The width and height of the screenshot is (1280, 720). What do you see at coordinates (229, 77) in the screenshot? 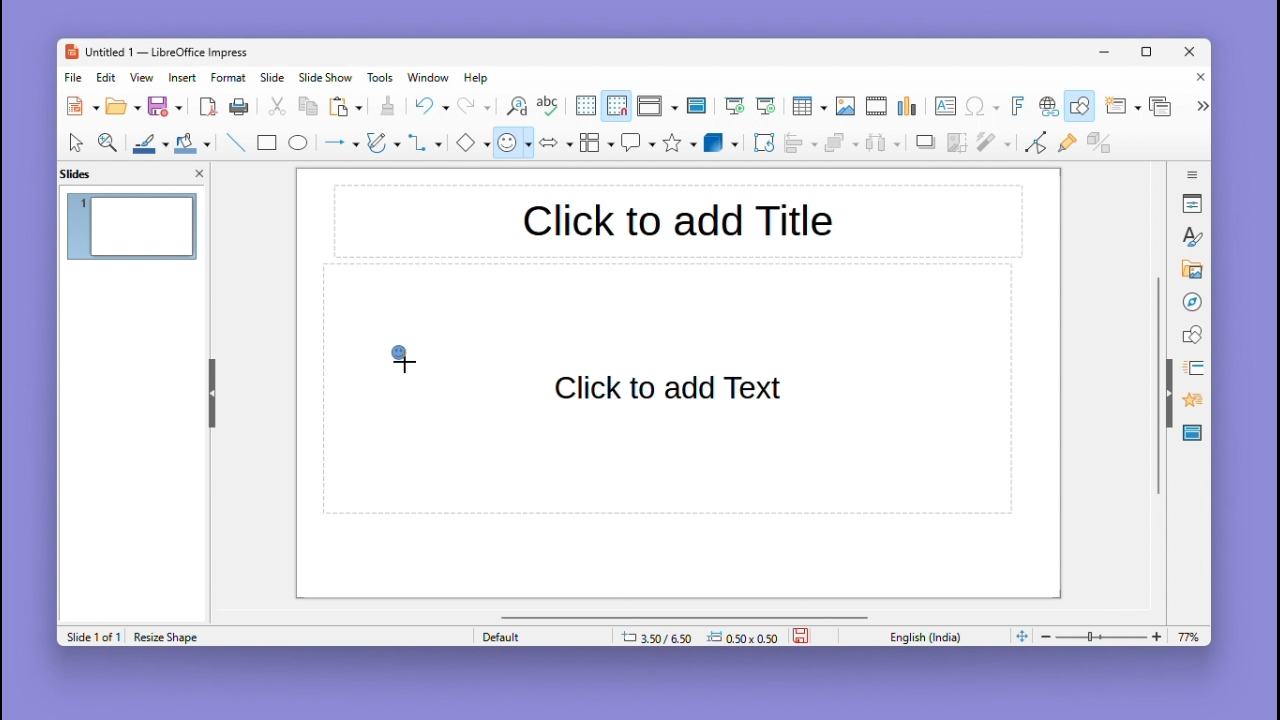
I see `Format` at bounding box center [229, 77].